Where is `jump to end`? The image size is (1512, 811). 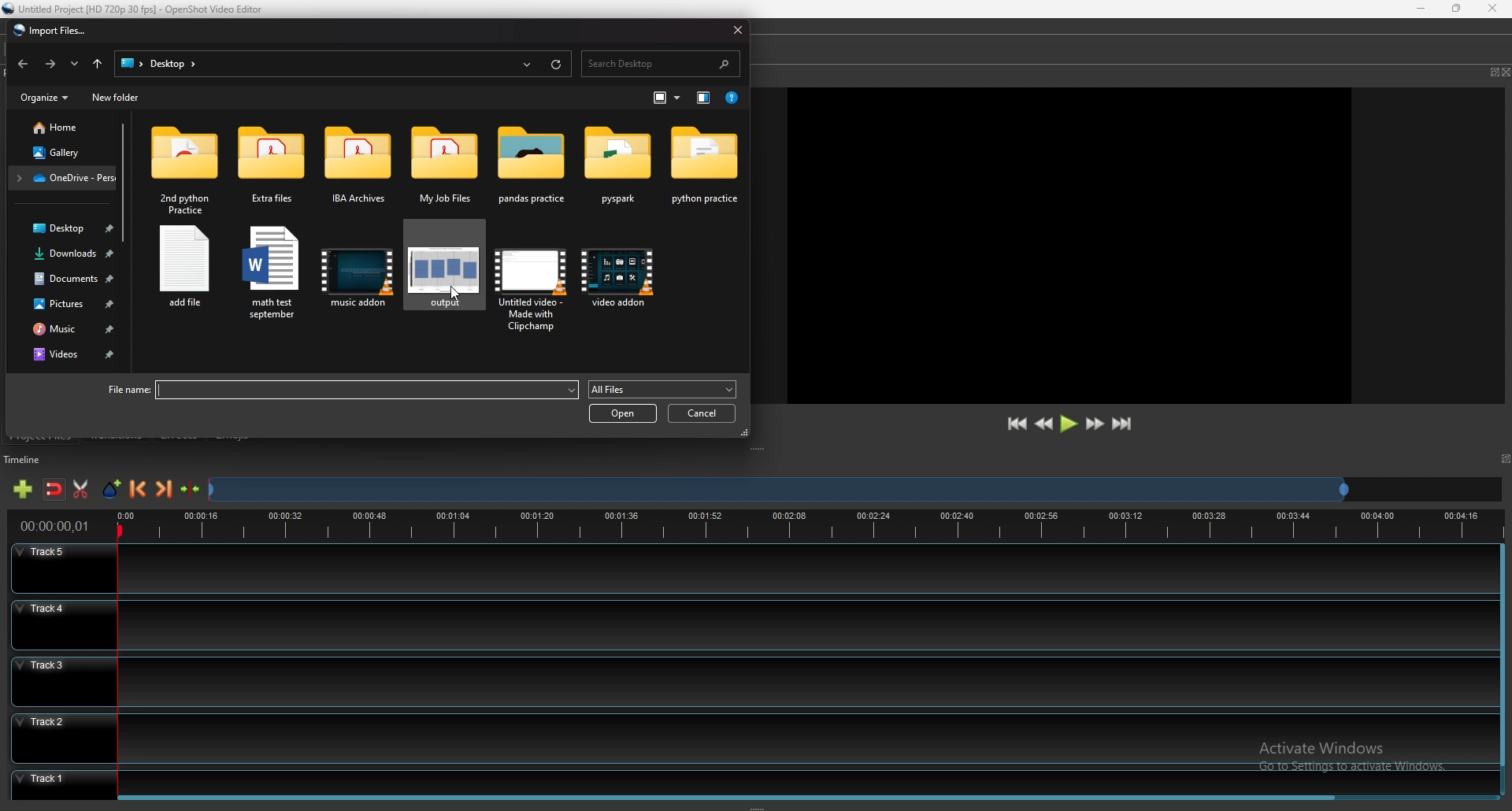 jump to end is located at coordinates (1121, 424).